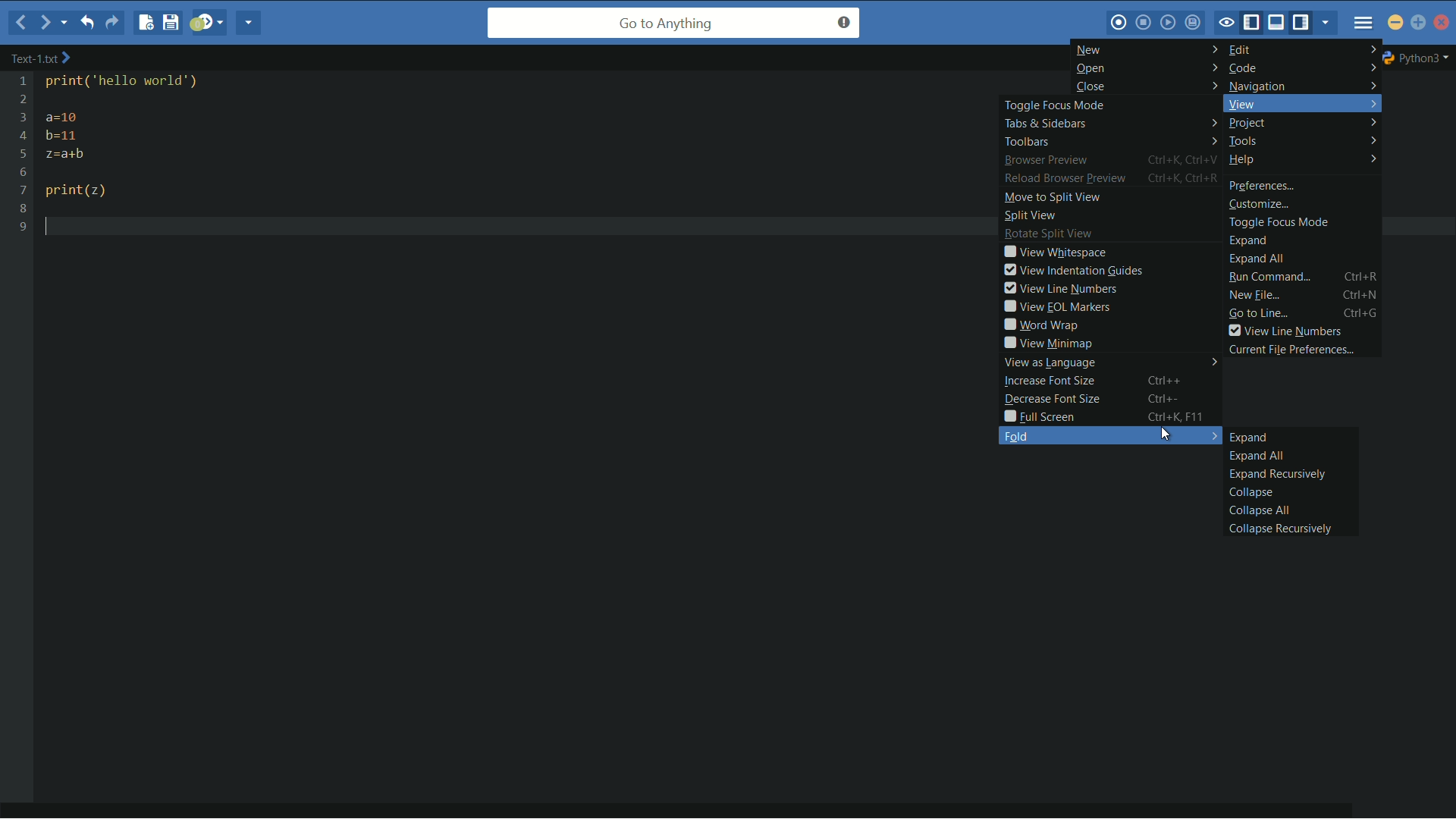  Describe the element at coordinates (1194, 24) in the screenshot. I see `save macro to toolbox` at that location.